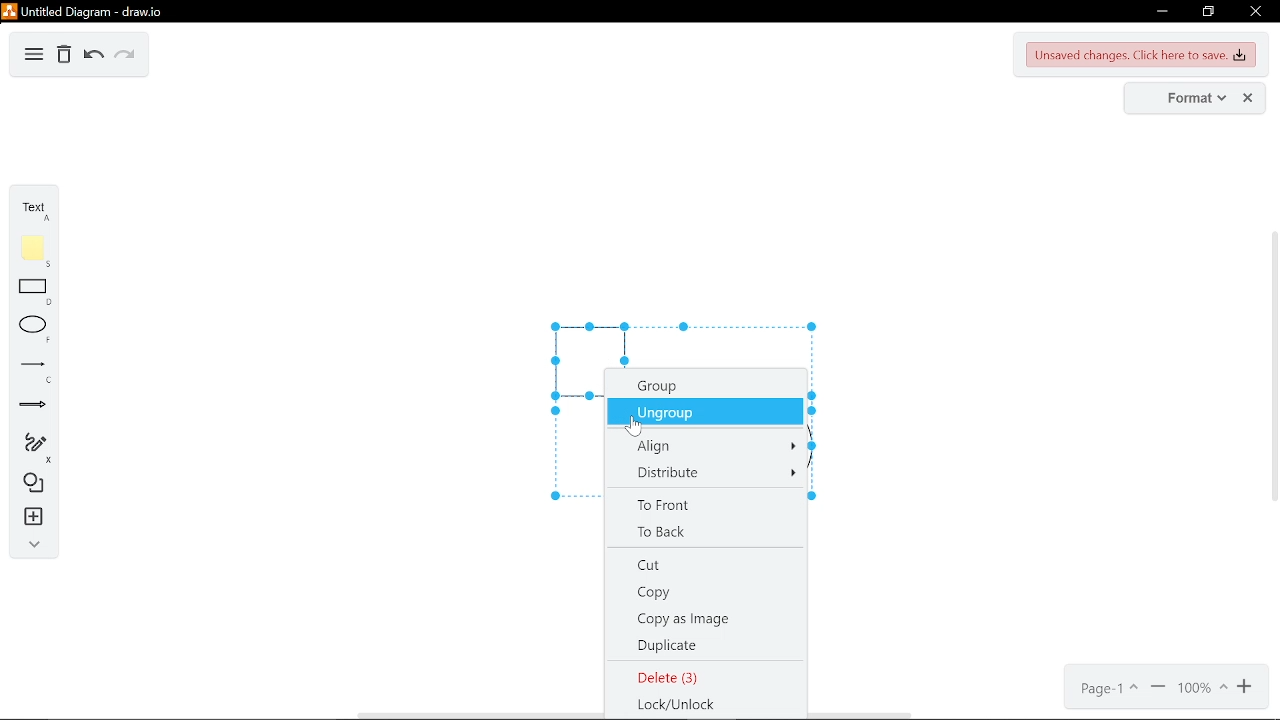  Describe the element at coordinates (30, 519) in the screenshot. I see `insert` at that location.